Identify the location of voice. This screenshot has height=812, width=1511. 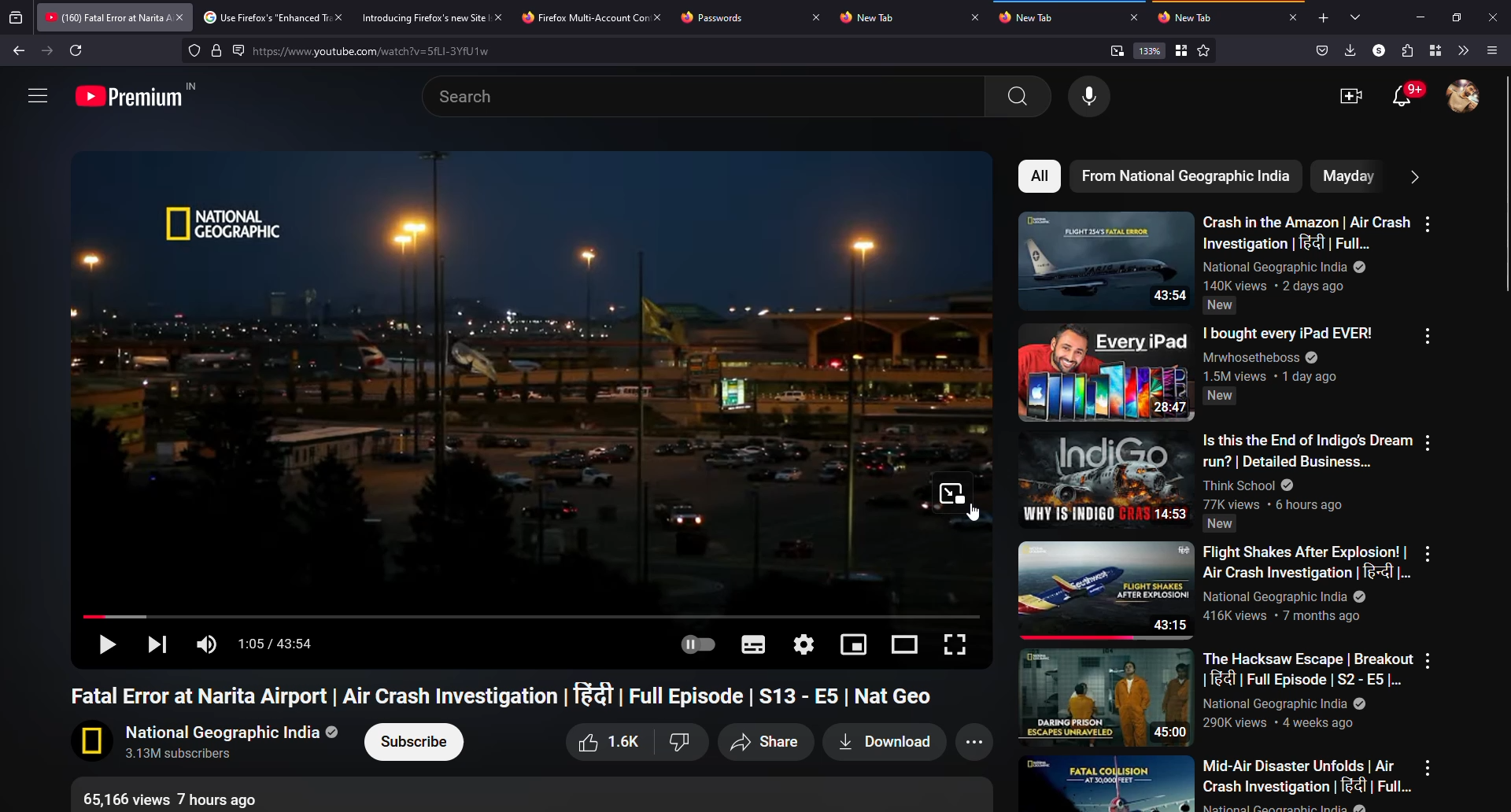
(1092, 97).